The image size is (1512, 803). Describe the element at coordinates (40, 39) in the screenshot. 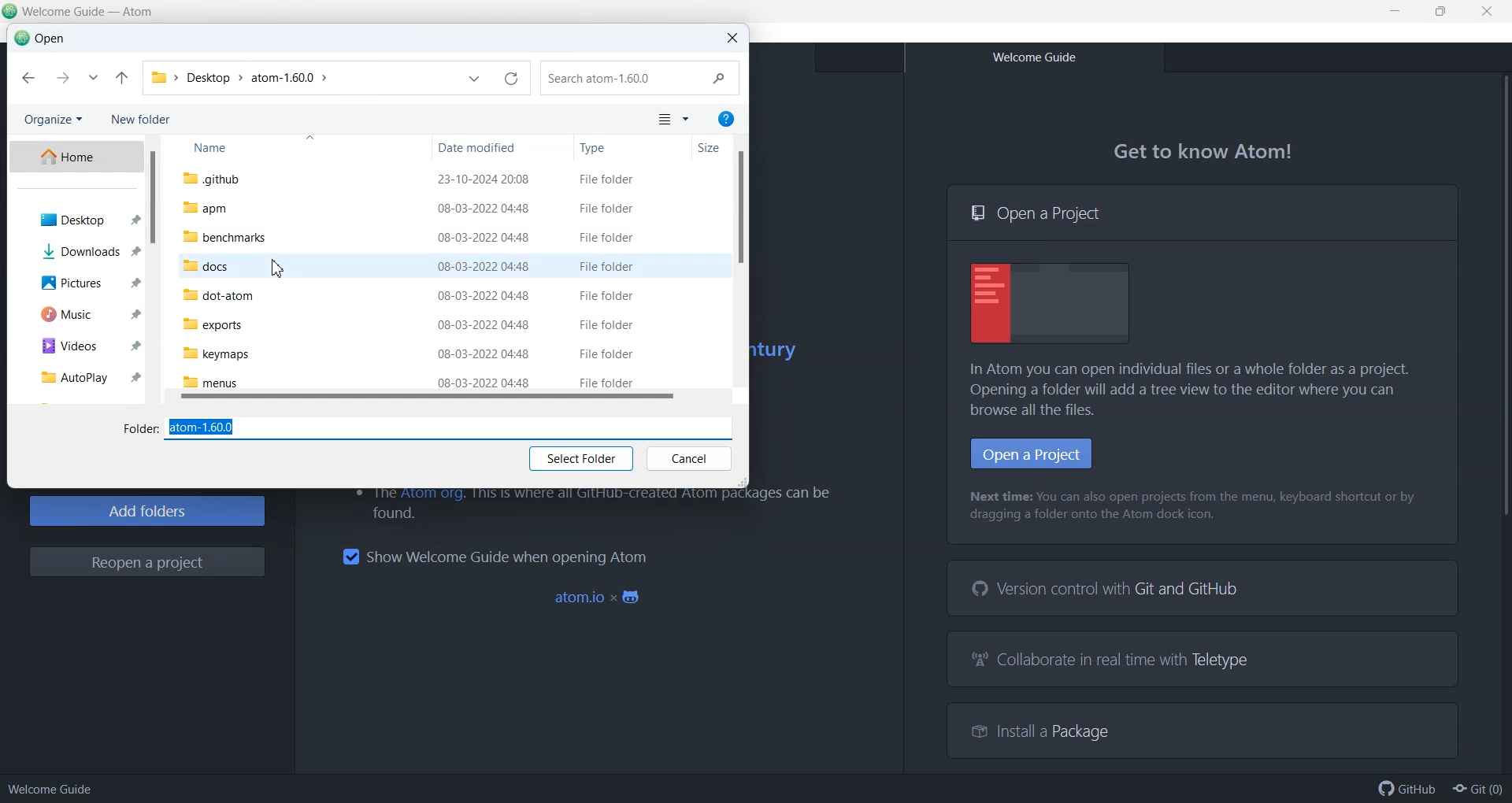

I see `Open` at that location.